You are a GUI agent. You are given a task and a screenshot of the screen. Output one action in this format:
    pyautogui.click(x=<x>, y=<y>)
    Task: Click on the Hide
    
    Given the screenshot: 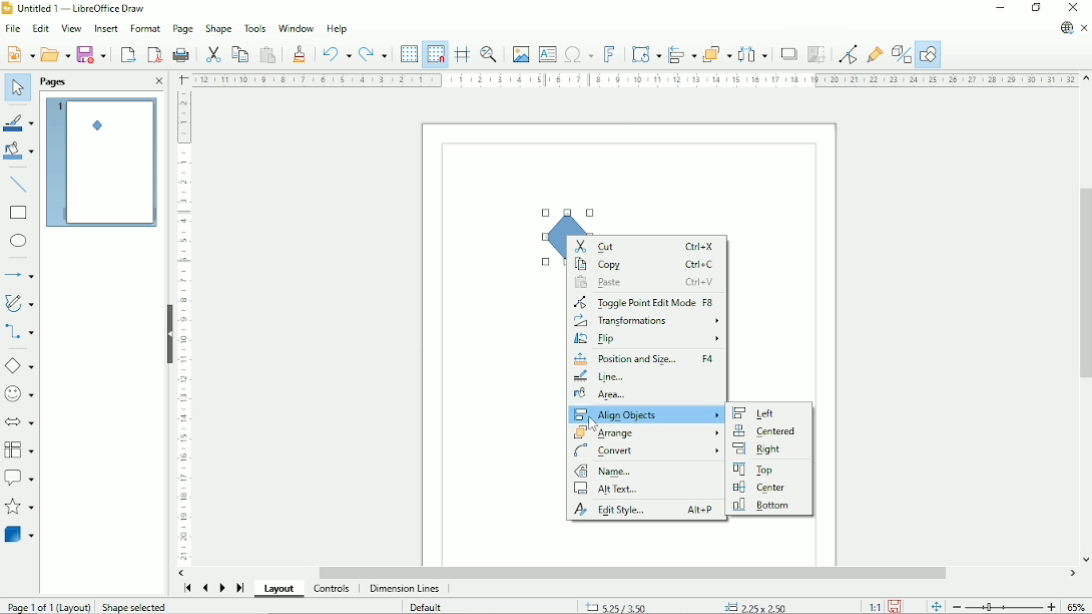 What is the action you would take?
    pyautogui.click(x=168, y=334)
    